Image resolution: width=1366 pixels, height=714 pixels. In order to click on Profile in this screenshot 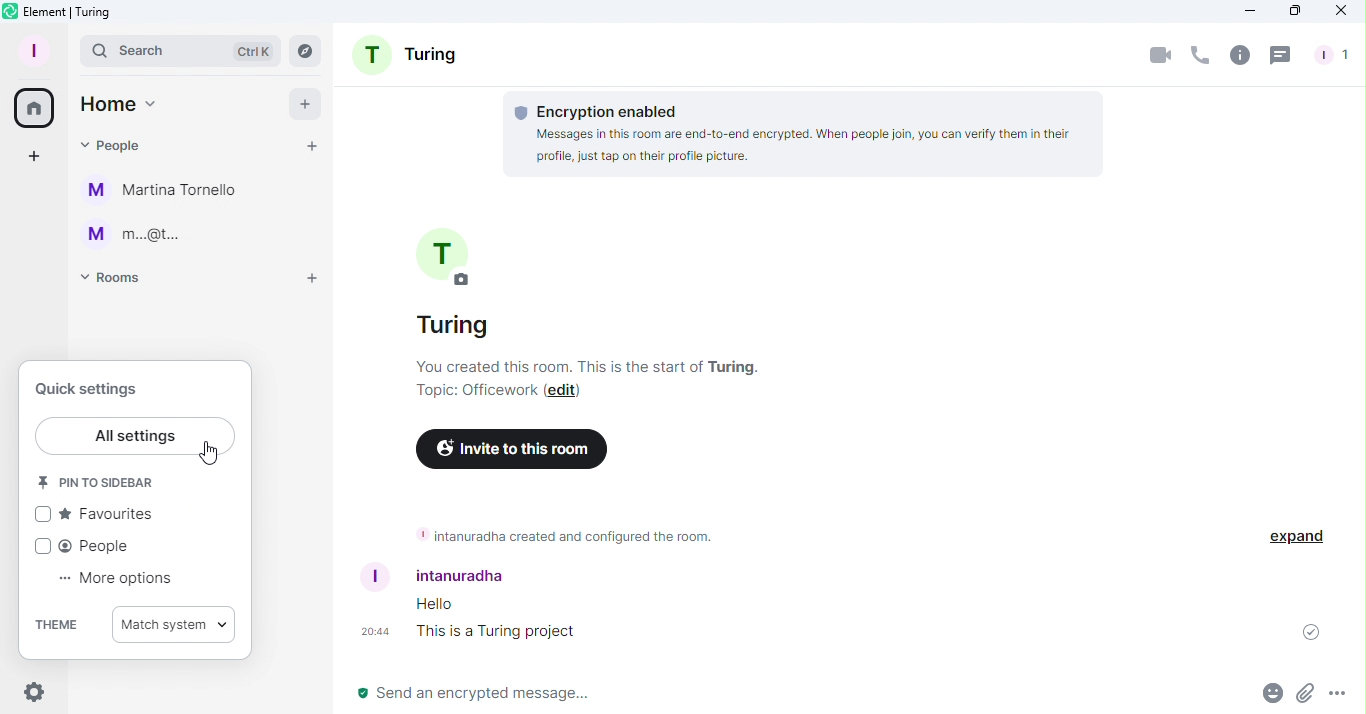, I will do `click(35, 50)`.